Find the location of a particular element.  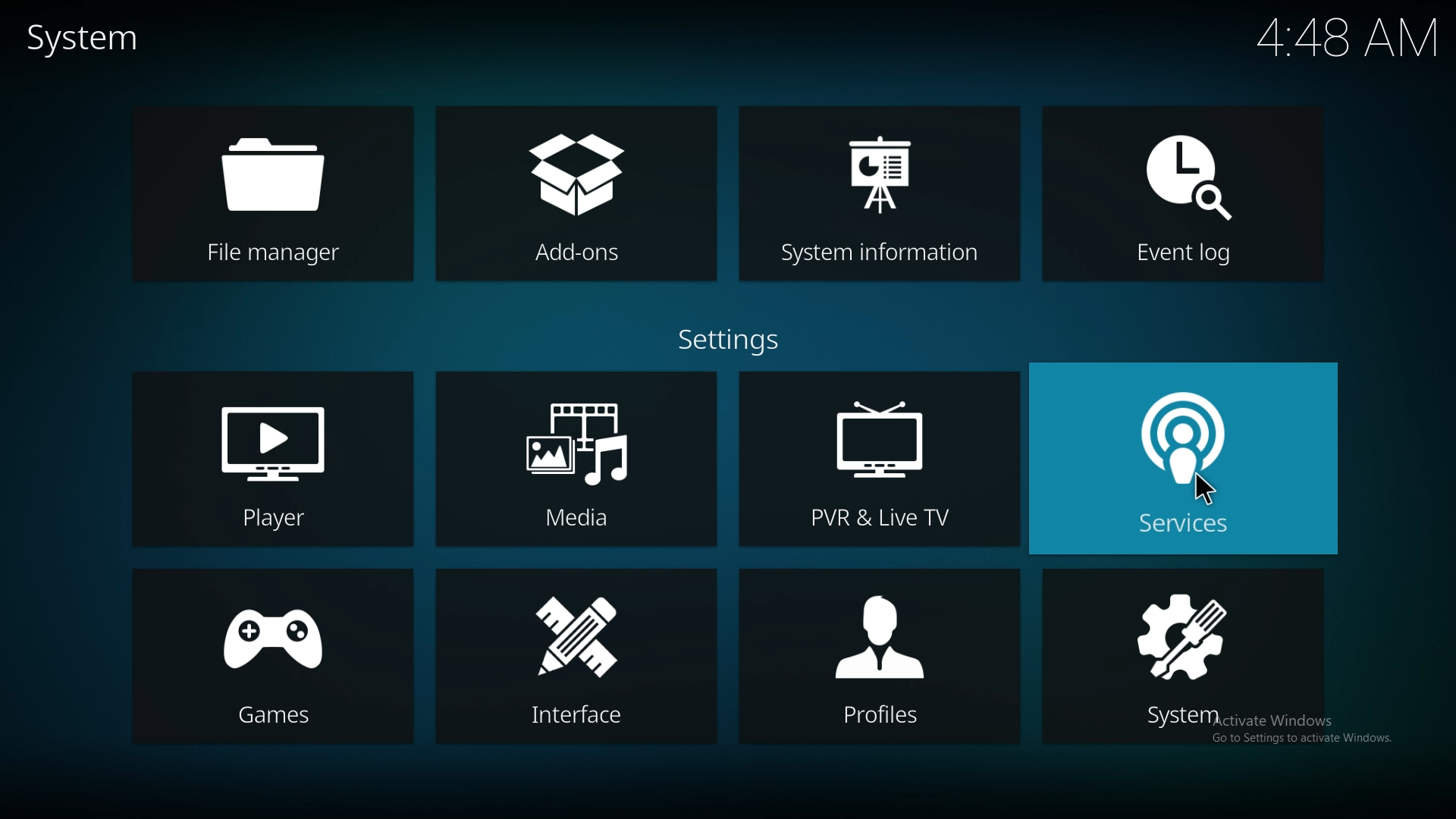

file manager is located at coordinates (280, 193).